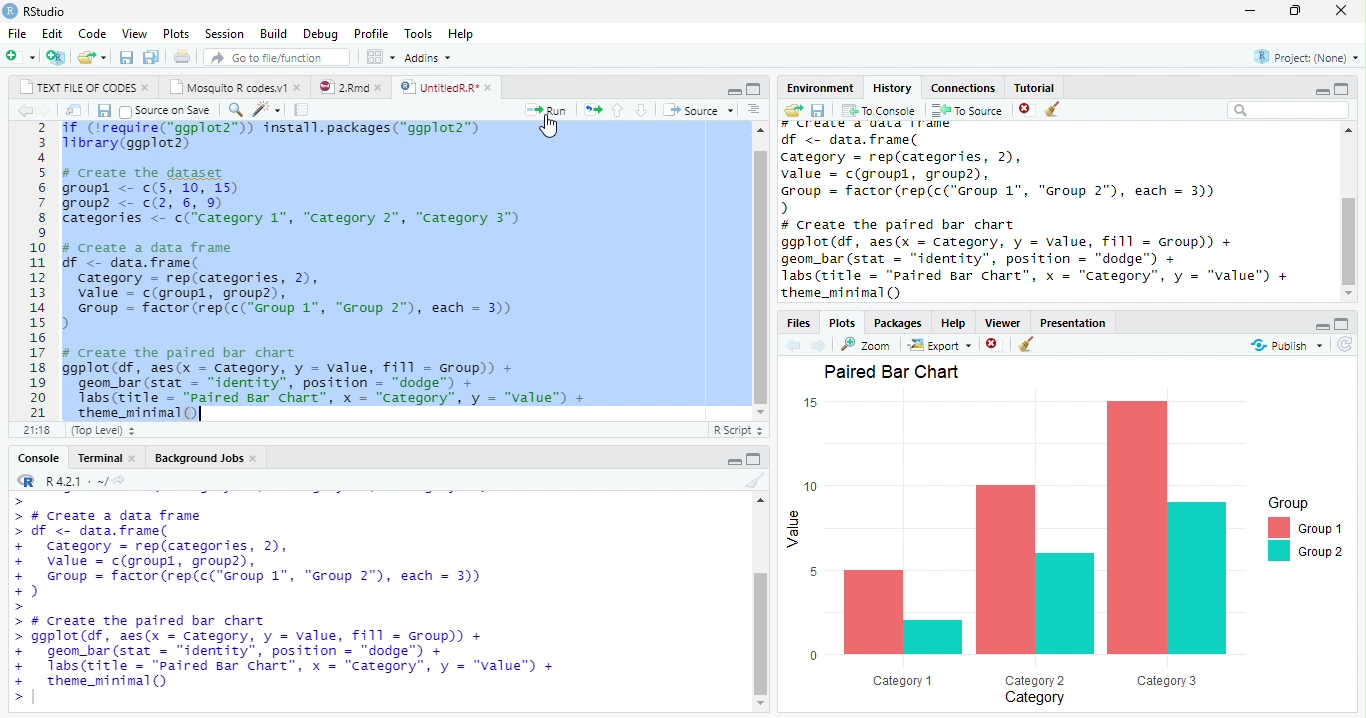  What do you see at coordinates (305, 110) in the screenshot?
I see `compile report` at bounding box center [305, 110].